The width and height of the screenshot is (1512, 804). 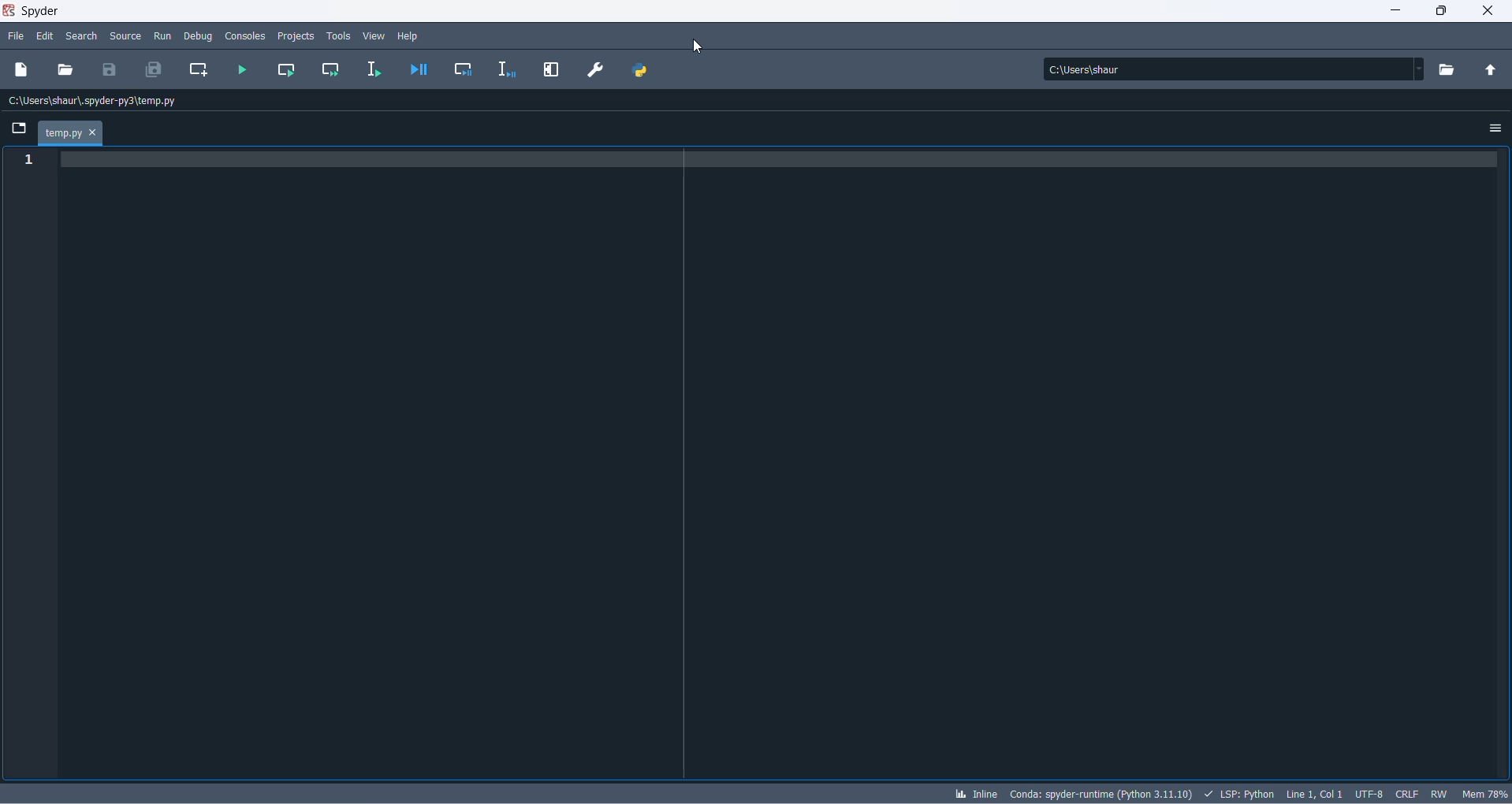 I want to click on options, so click(x=1496, y=125).